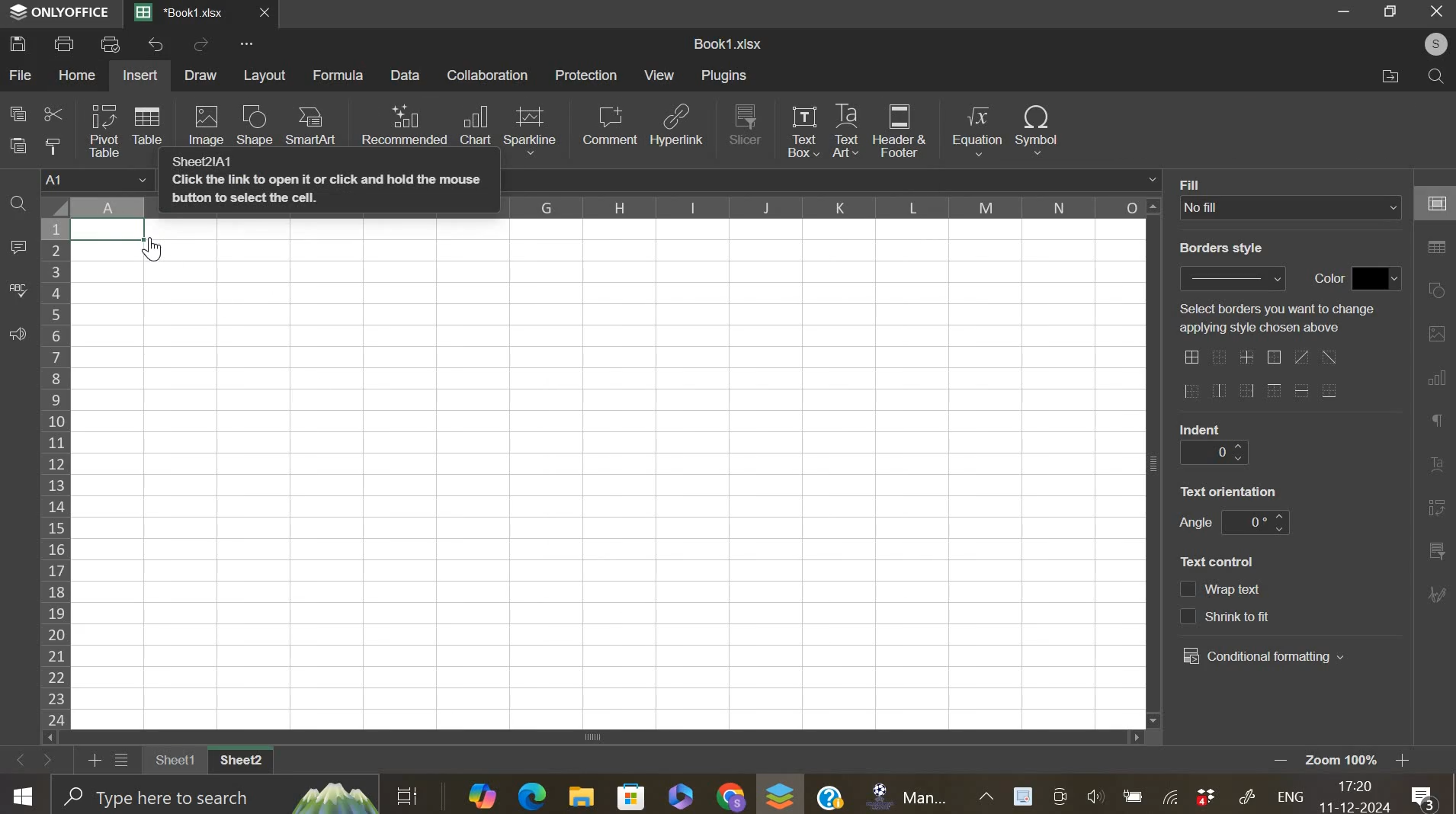 This screenshot has width=1456, height=814. I want to click on symbol, so click(1037, 128).